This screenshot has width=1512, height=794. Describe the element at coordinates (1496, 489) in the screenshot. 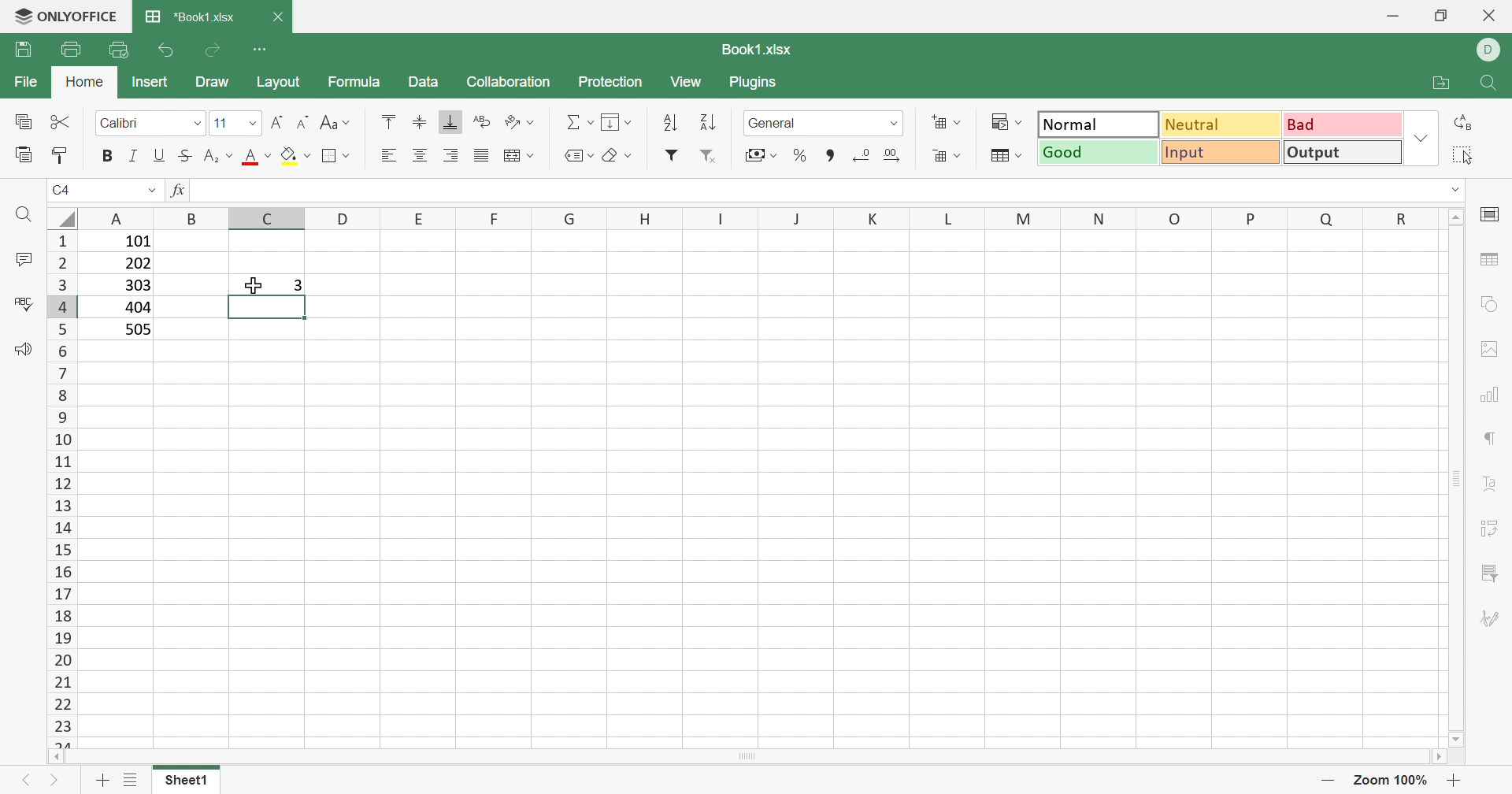

I see `Text Art settings` at that location.